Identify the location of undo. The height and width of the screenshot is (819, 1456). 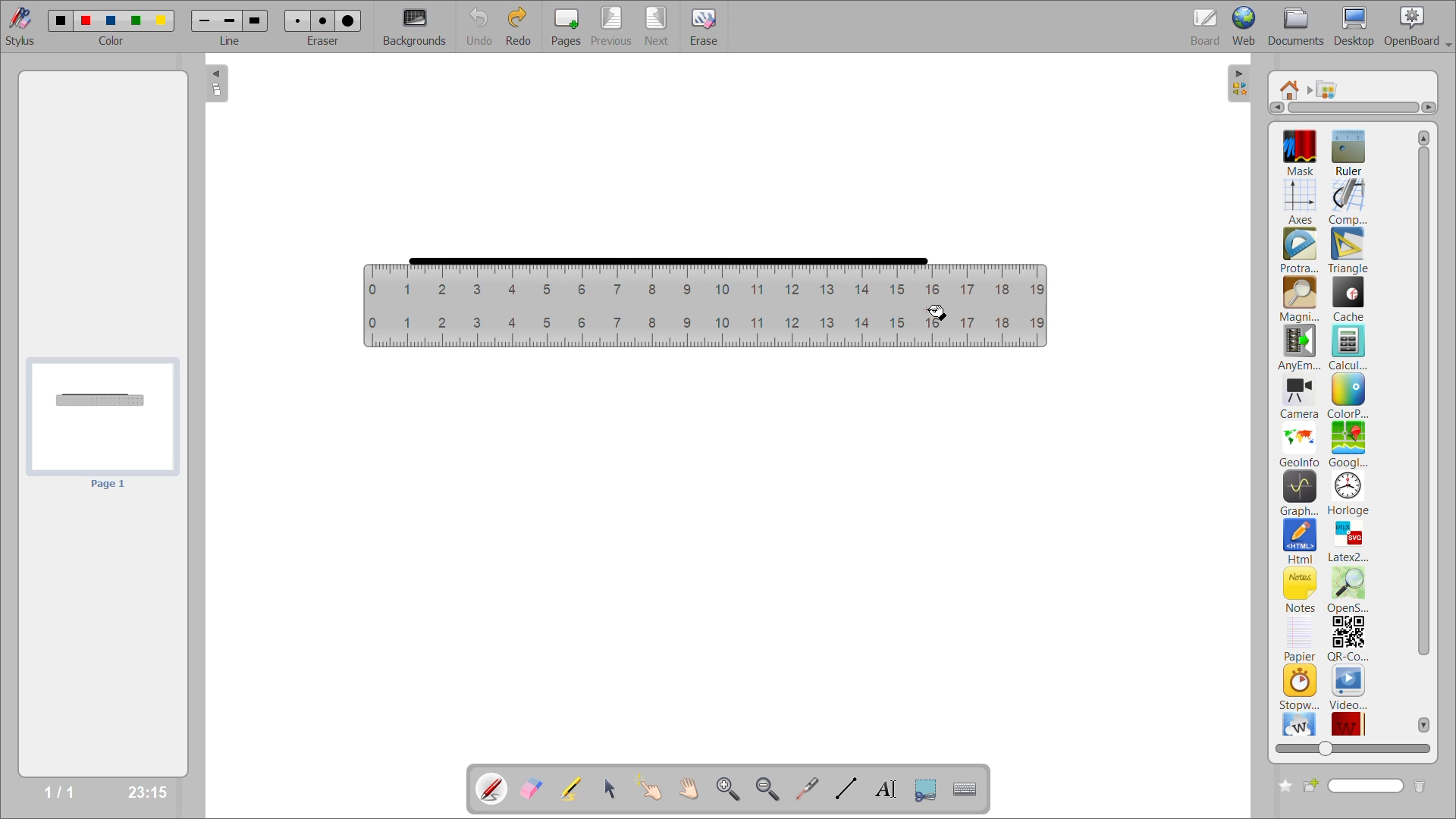
(481, 25).